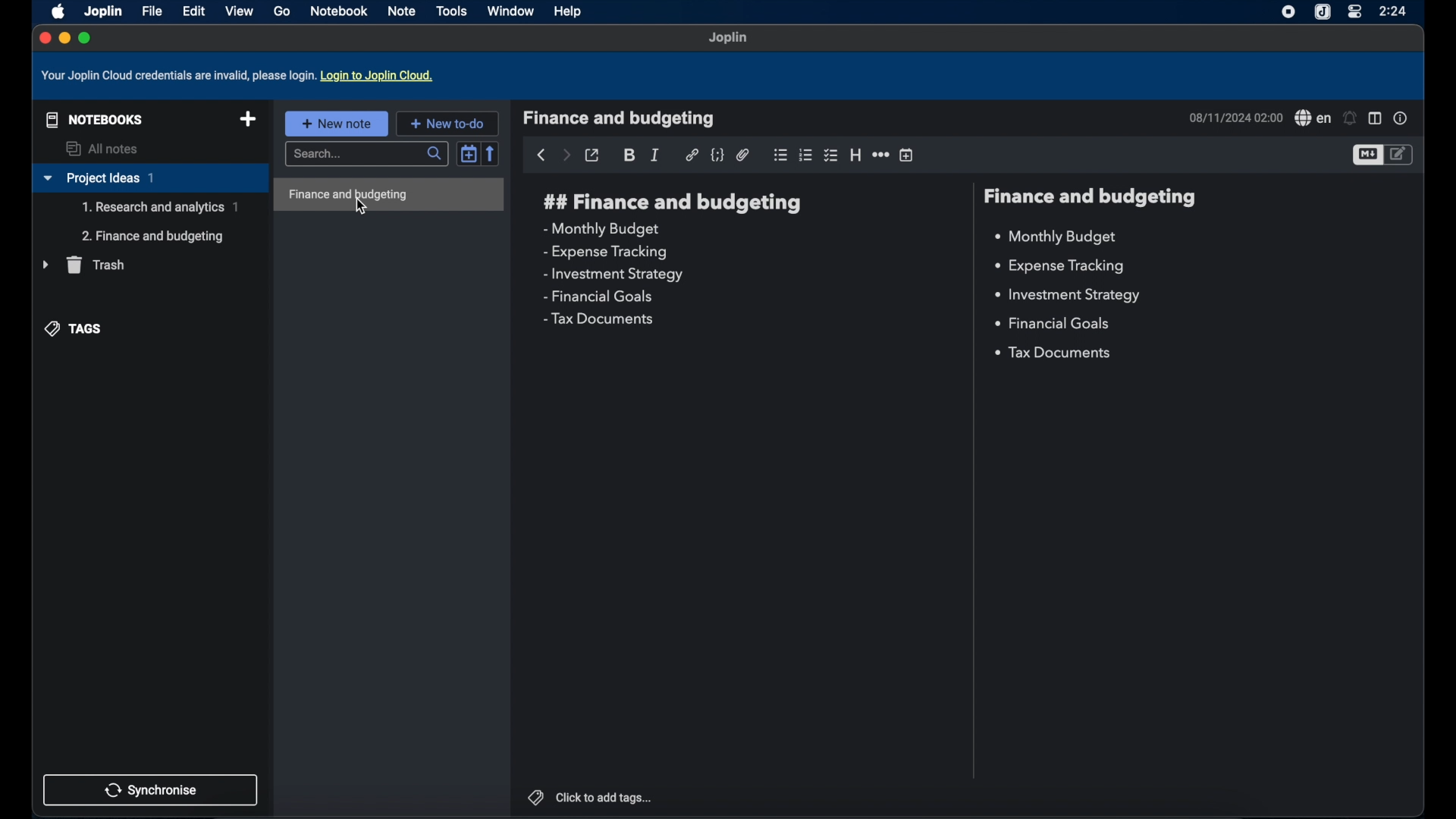 The image size is (1456, 819). What do you see at coordinates (541, 155) in the screenshot?
I see `back` at bounding box center [541, 155].